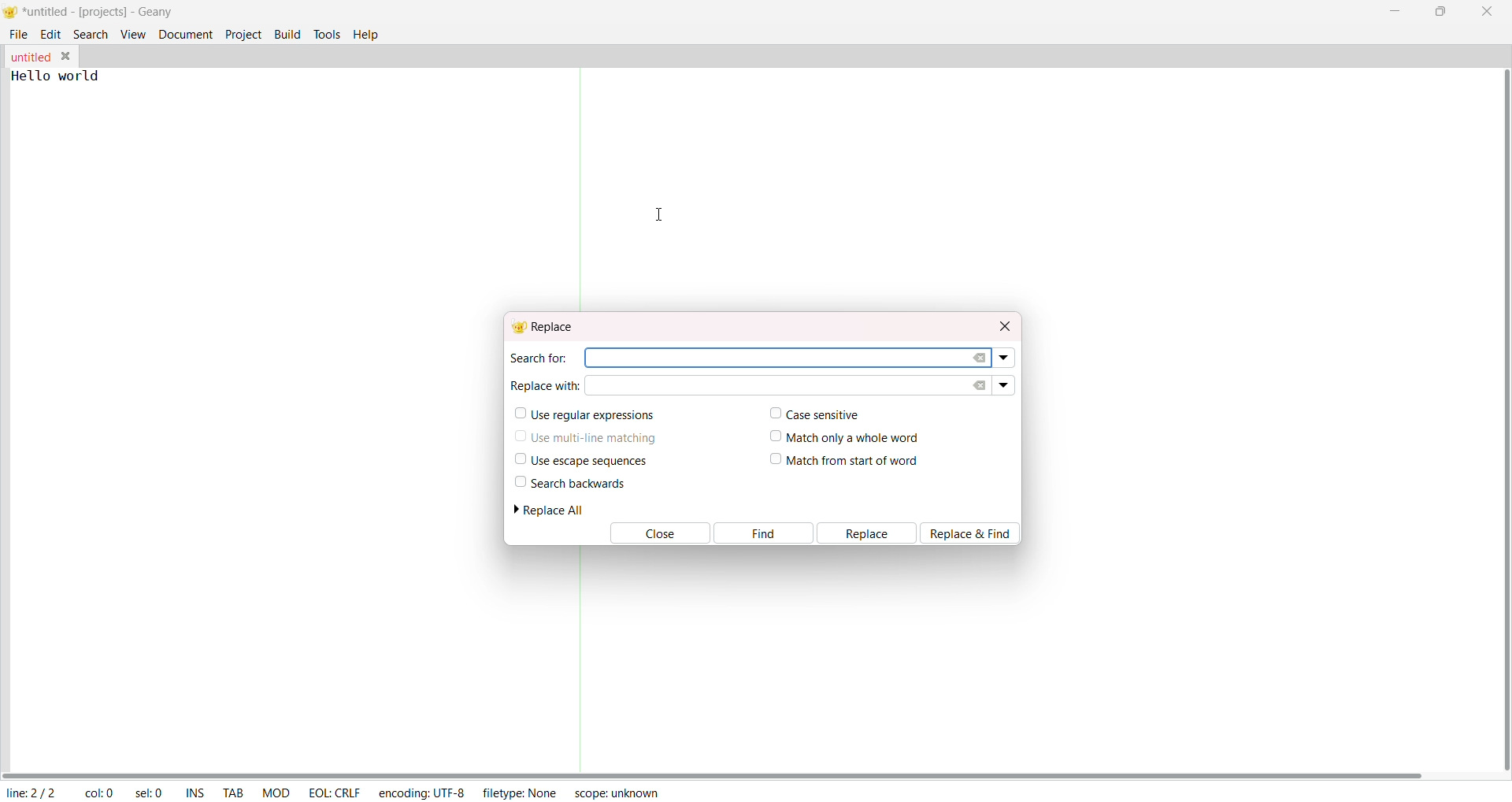 The width and height of the screenshot is (1512, 802). Describe the element at coordinates (1002, 324) in the screenshot. I see `close dialog` at that location.